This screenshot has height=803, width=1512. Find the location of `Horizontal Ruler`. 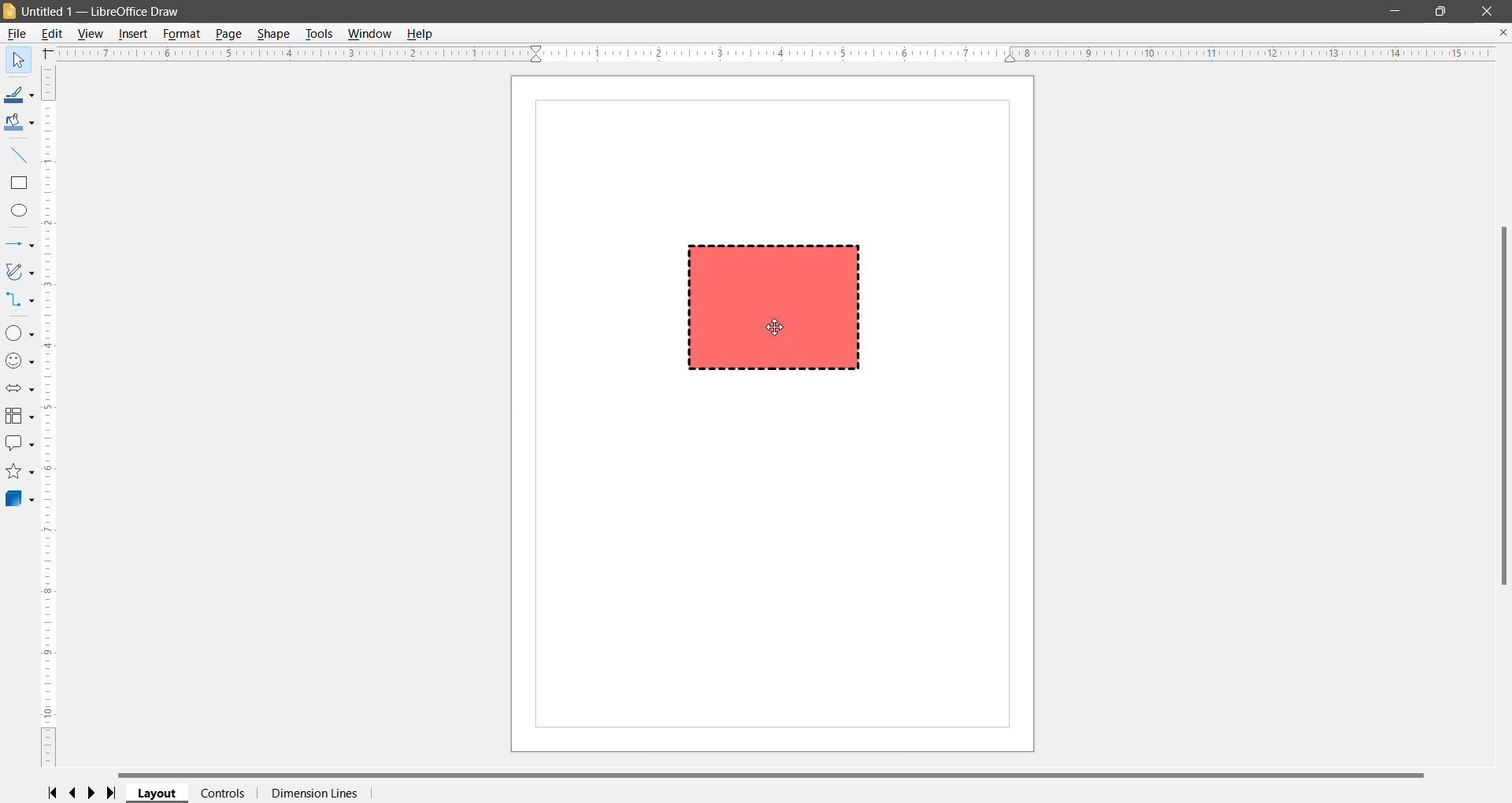

Horizontal Ruler is located at coordinates (774, 54).